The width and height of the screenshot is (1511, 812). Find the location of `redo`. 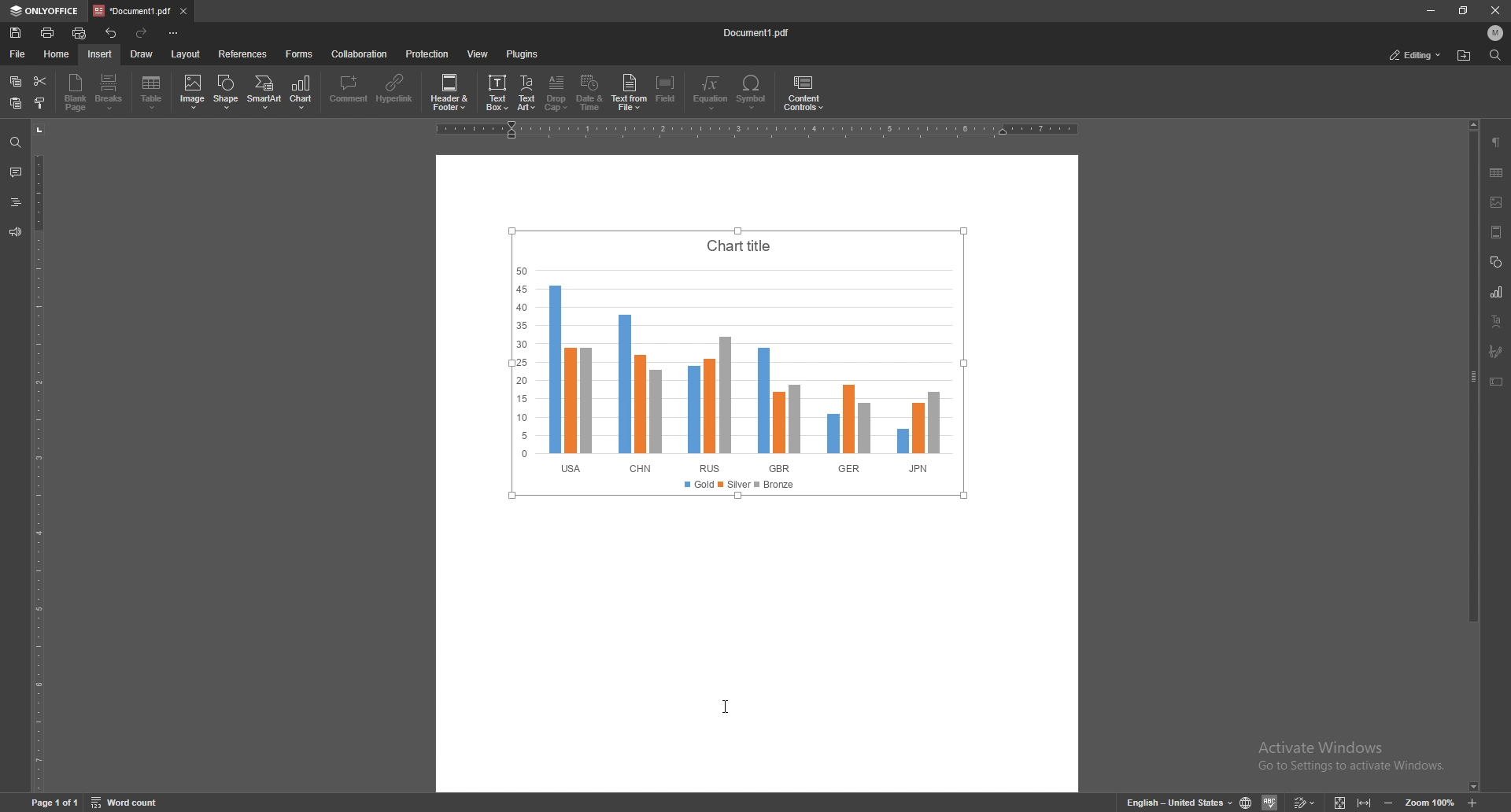

redo is located at coordinates (142, 33).